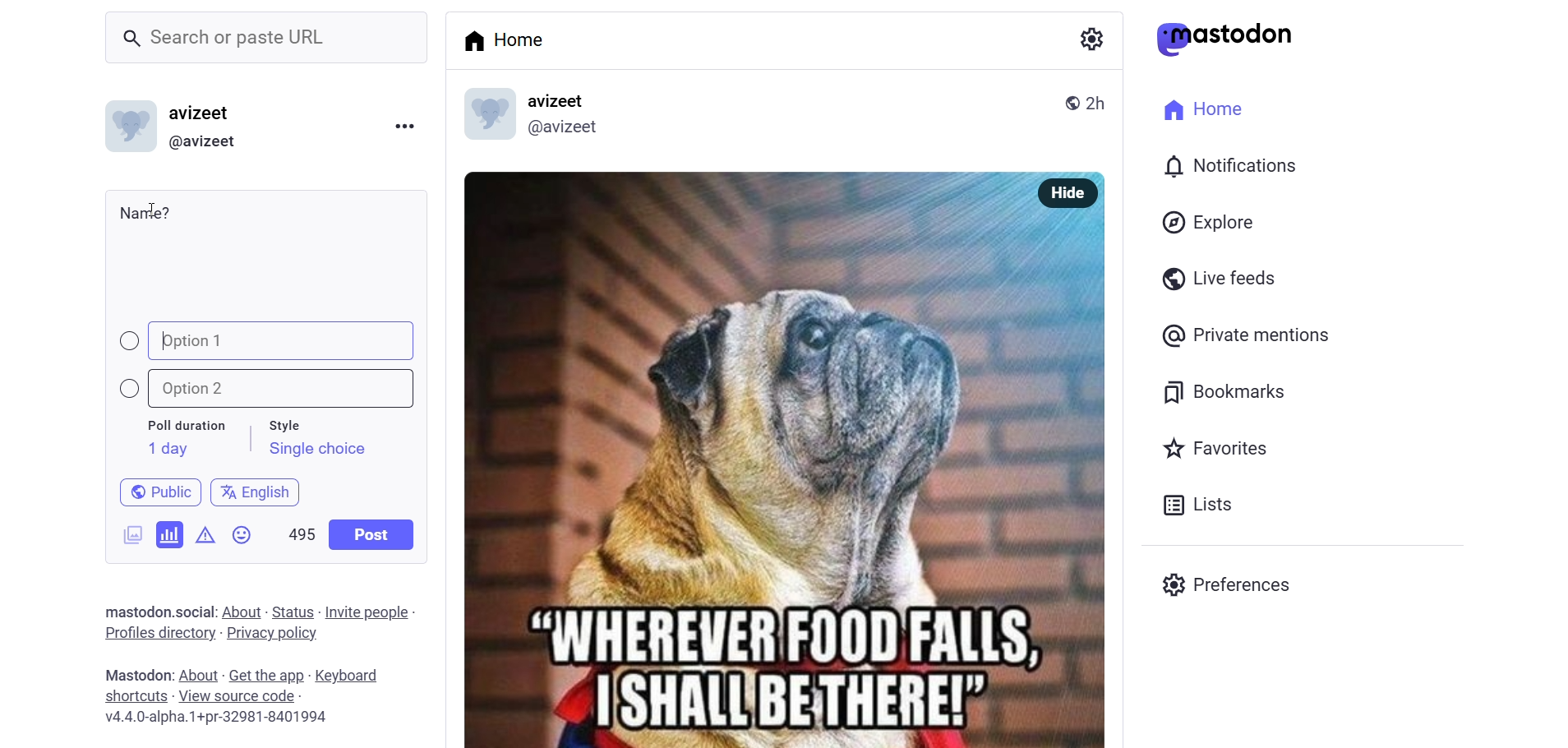 Image resolution: width=1568 pixels, height=748 pixels. I want to click on name?, so click(145, 212).